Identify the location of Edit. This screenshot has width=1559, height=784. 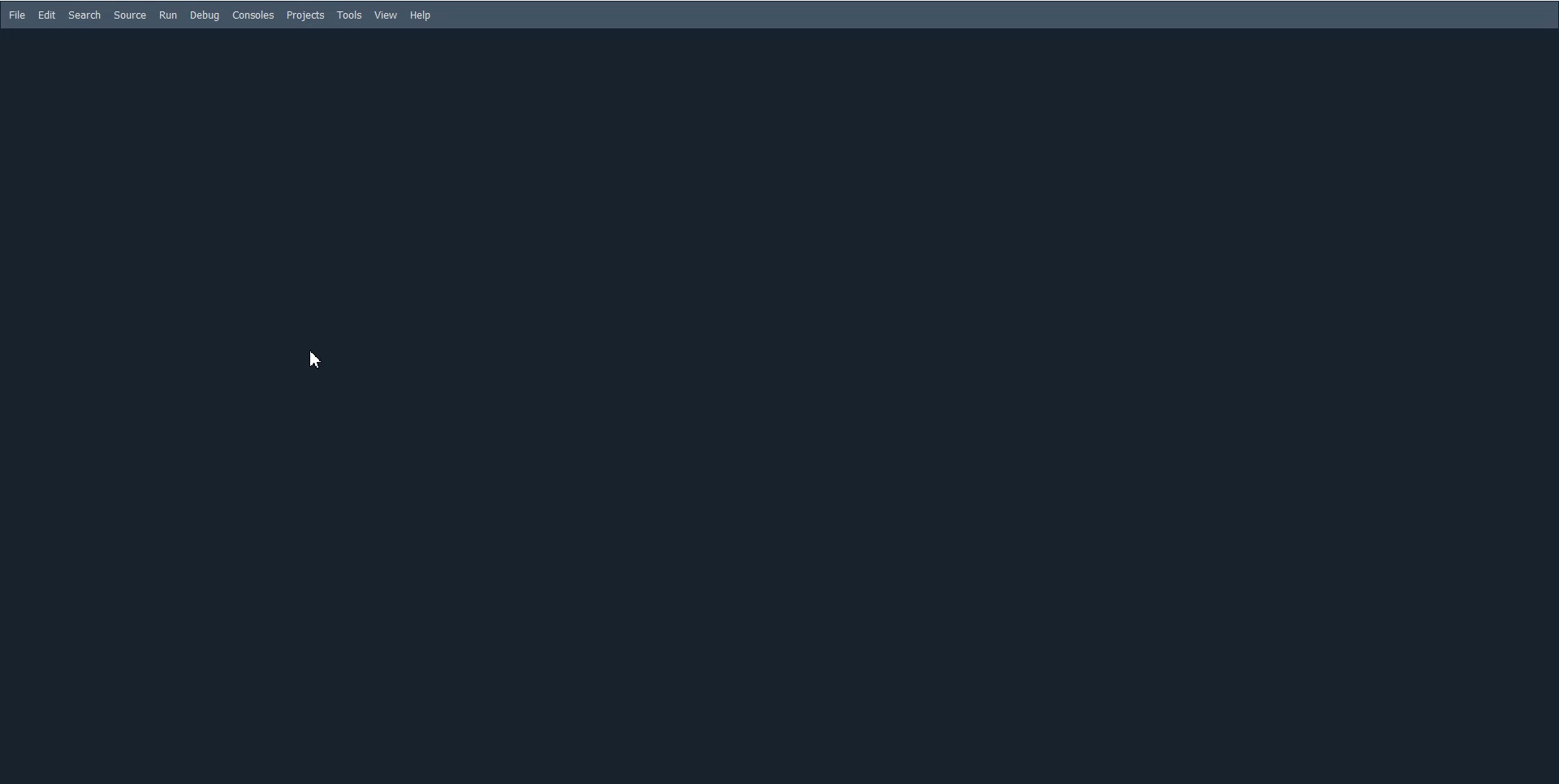
(47, 14).